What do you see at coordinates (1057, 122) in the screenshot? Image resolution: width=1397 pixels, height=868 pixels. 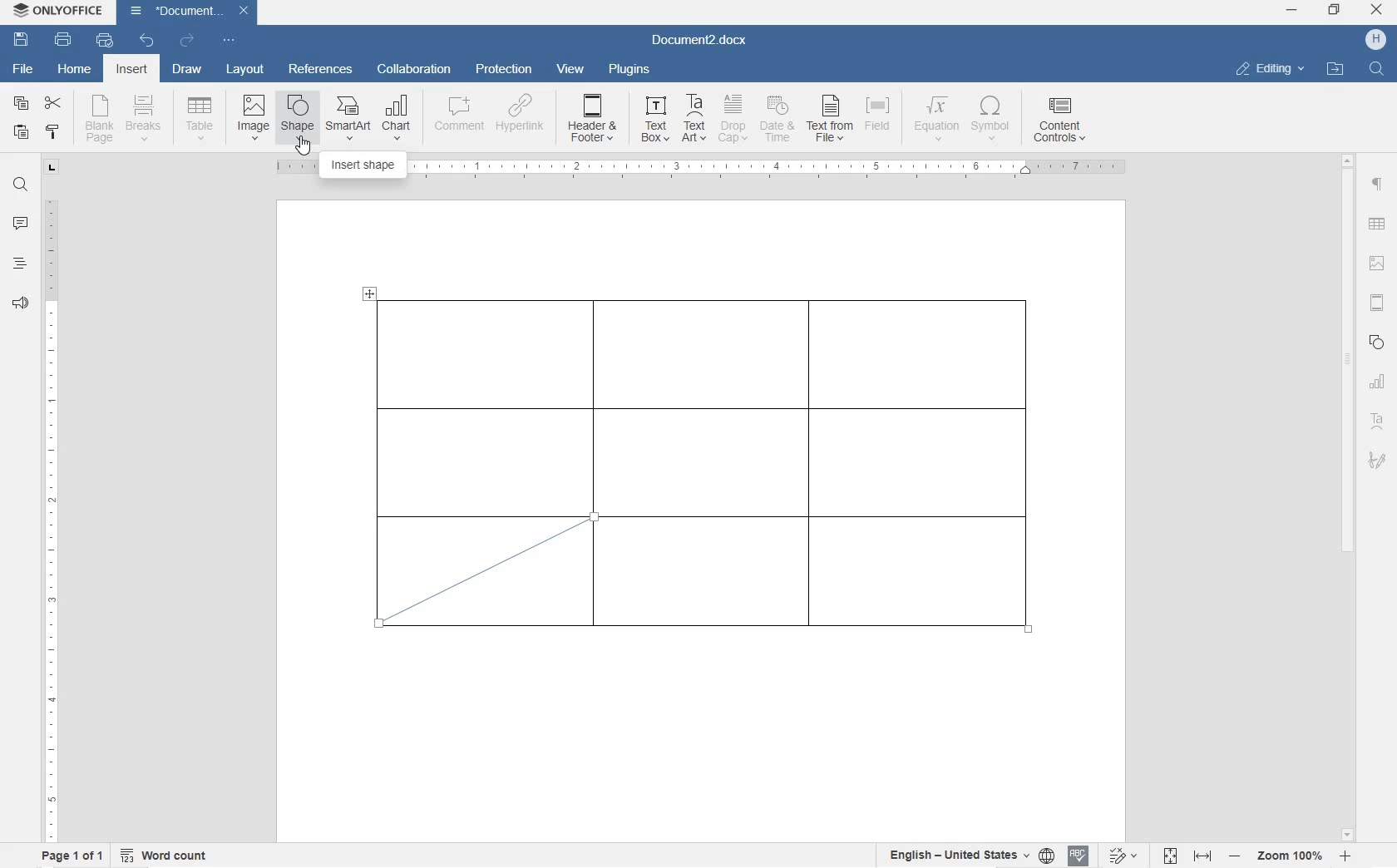 I see `CONTENT CONTROLS` at bounding box center [1057, 122].